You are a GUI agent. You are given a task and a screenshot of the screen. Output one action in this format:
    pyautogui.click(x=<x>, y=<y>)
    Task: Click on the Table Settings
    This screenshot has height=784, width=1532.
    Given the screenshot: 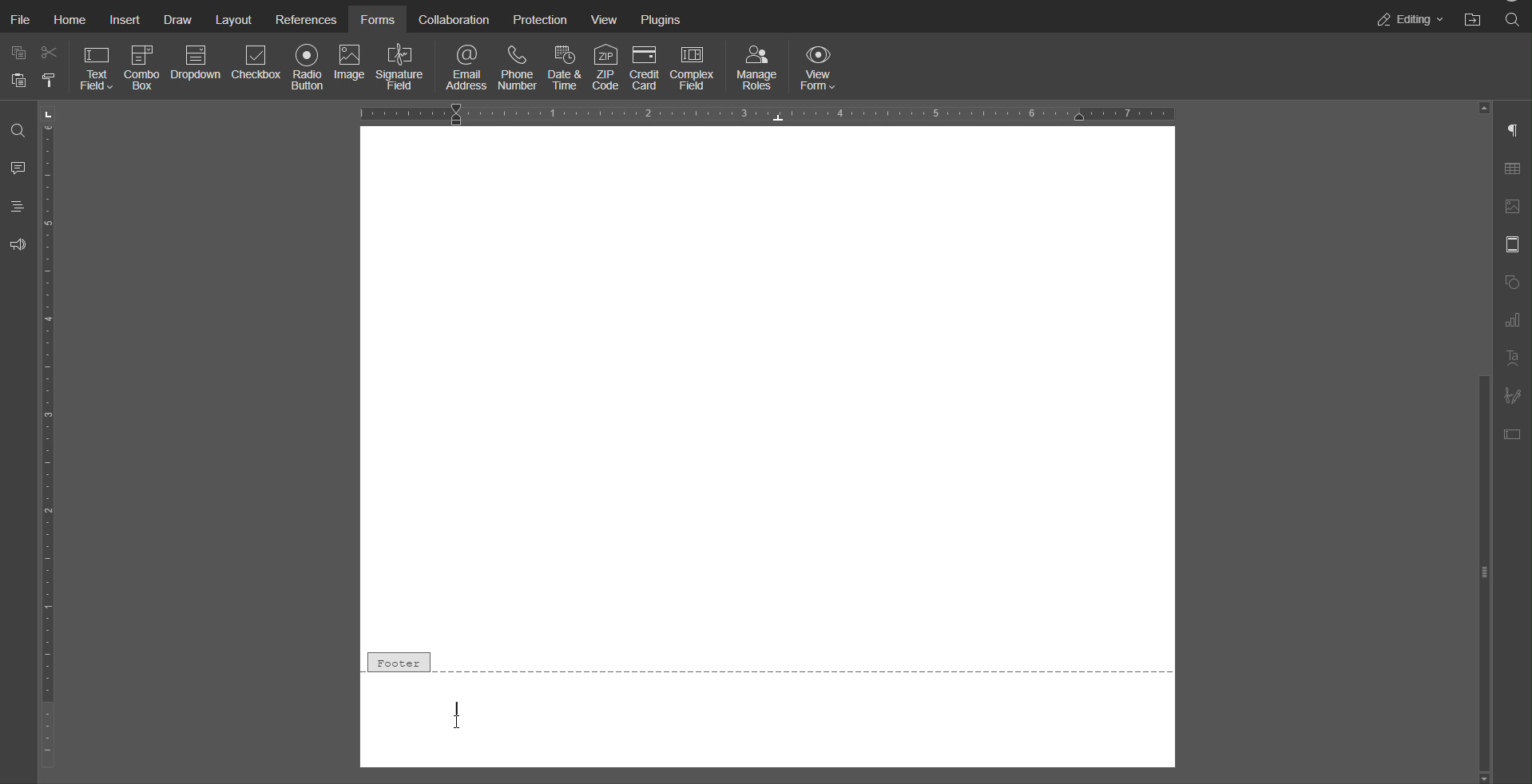 What is the action you would take?
    pyautogui.click(x=1514, y=171)
    